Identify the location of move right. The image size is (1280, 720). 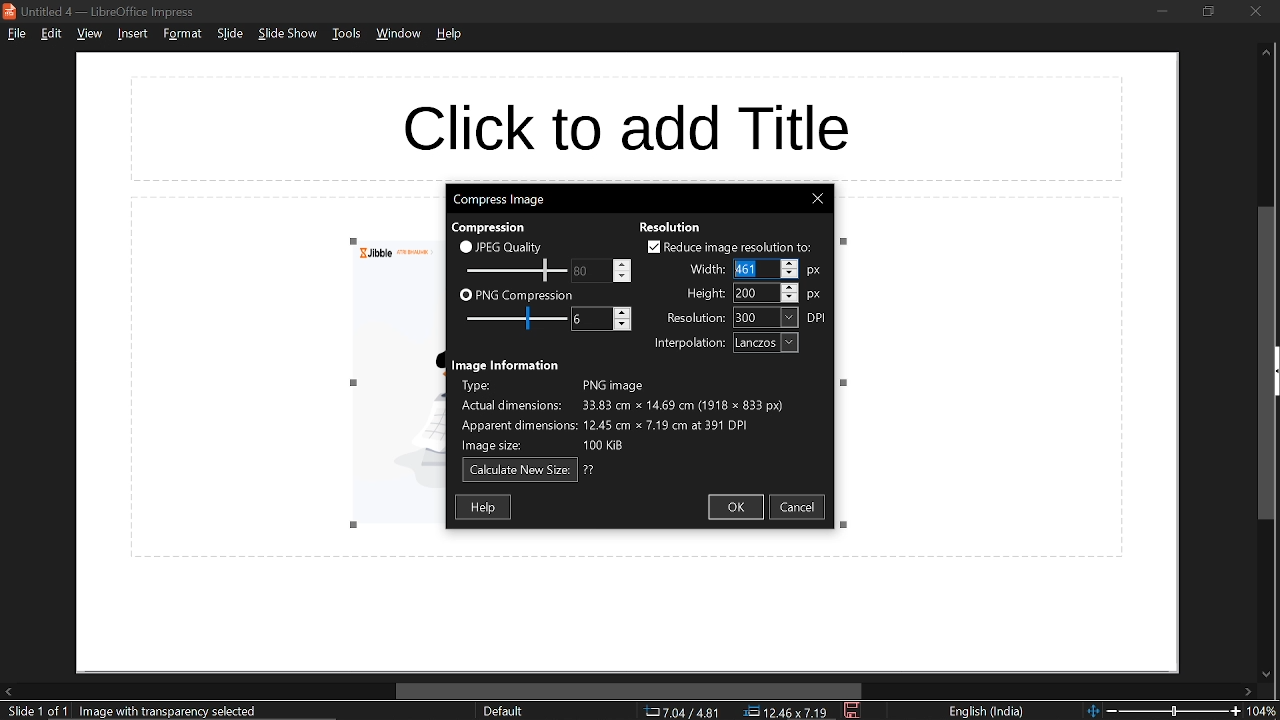
(1249, 691).